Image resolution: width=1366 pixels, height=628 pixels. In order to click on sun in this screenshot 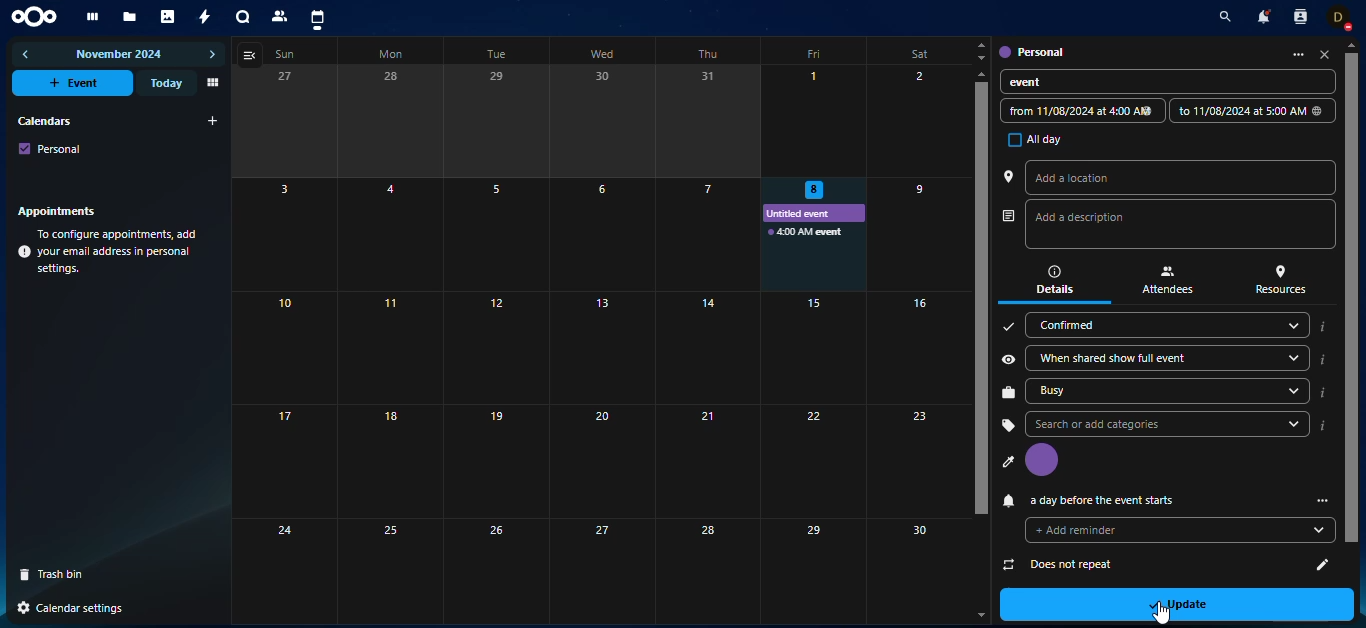, I will do `click(290, 54)`.